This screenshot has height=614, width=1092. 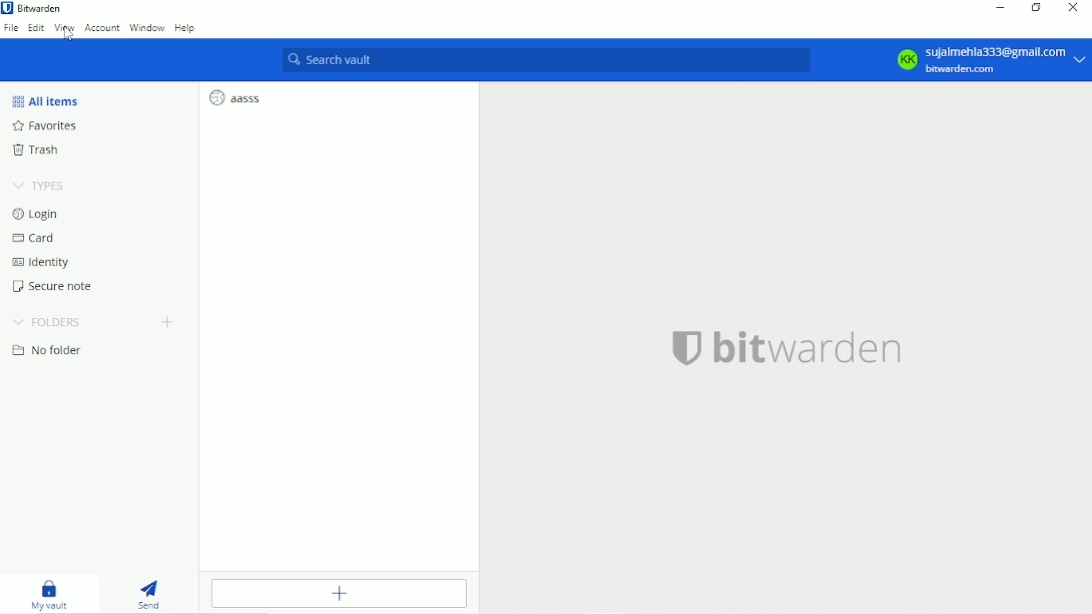 I want to click on Minimize, so click(x=1001, y=7).